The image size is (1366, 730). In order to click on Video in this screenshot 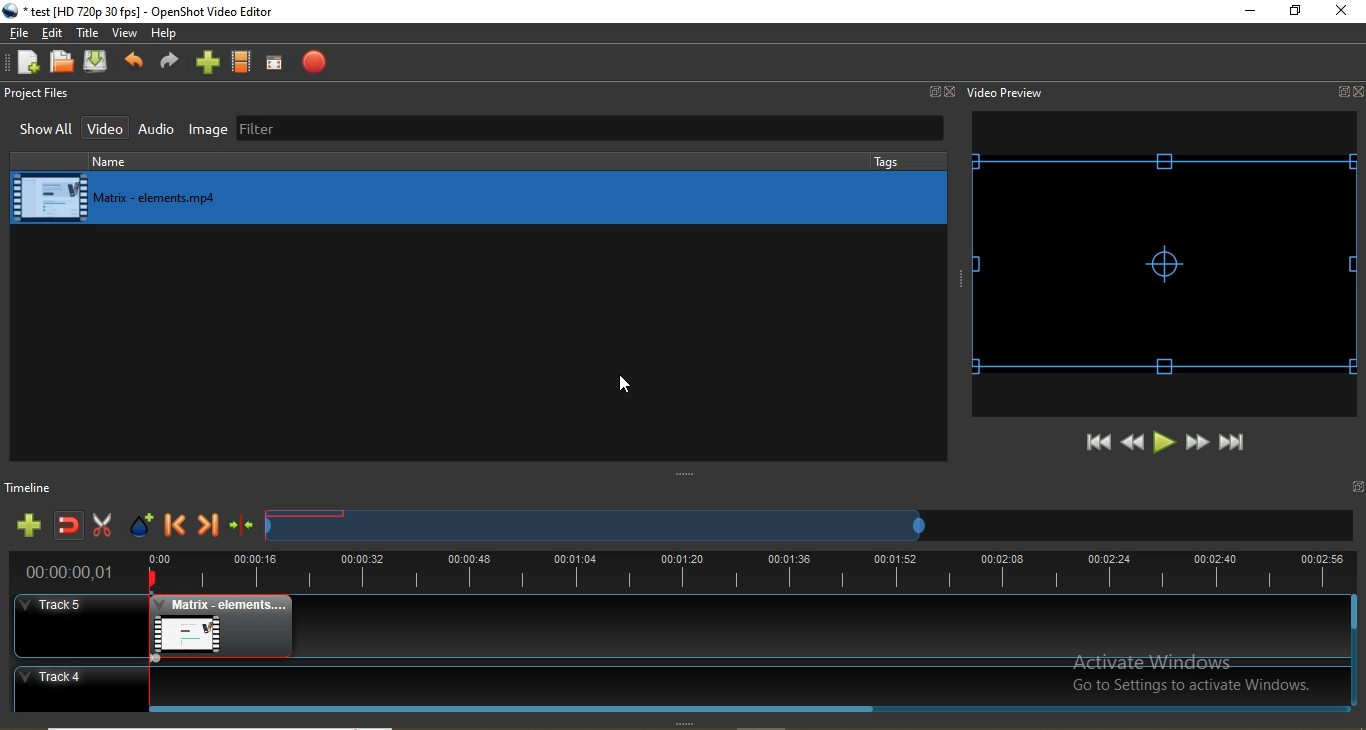, I will do `click(107, 128)`.